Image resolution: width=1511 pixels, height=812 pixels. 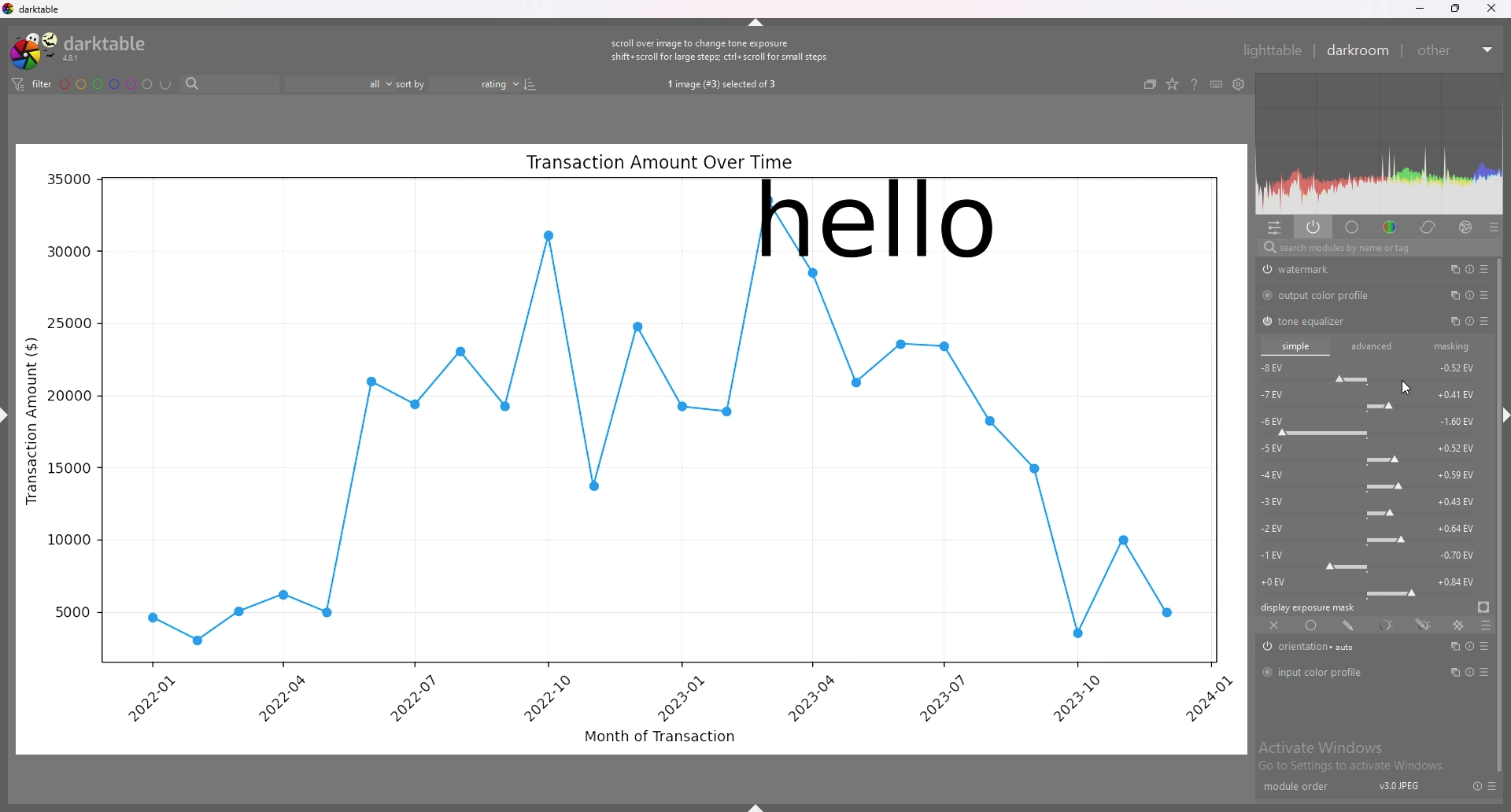 I want to click on raster mask, so click(x=1456, y=625).